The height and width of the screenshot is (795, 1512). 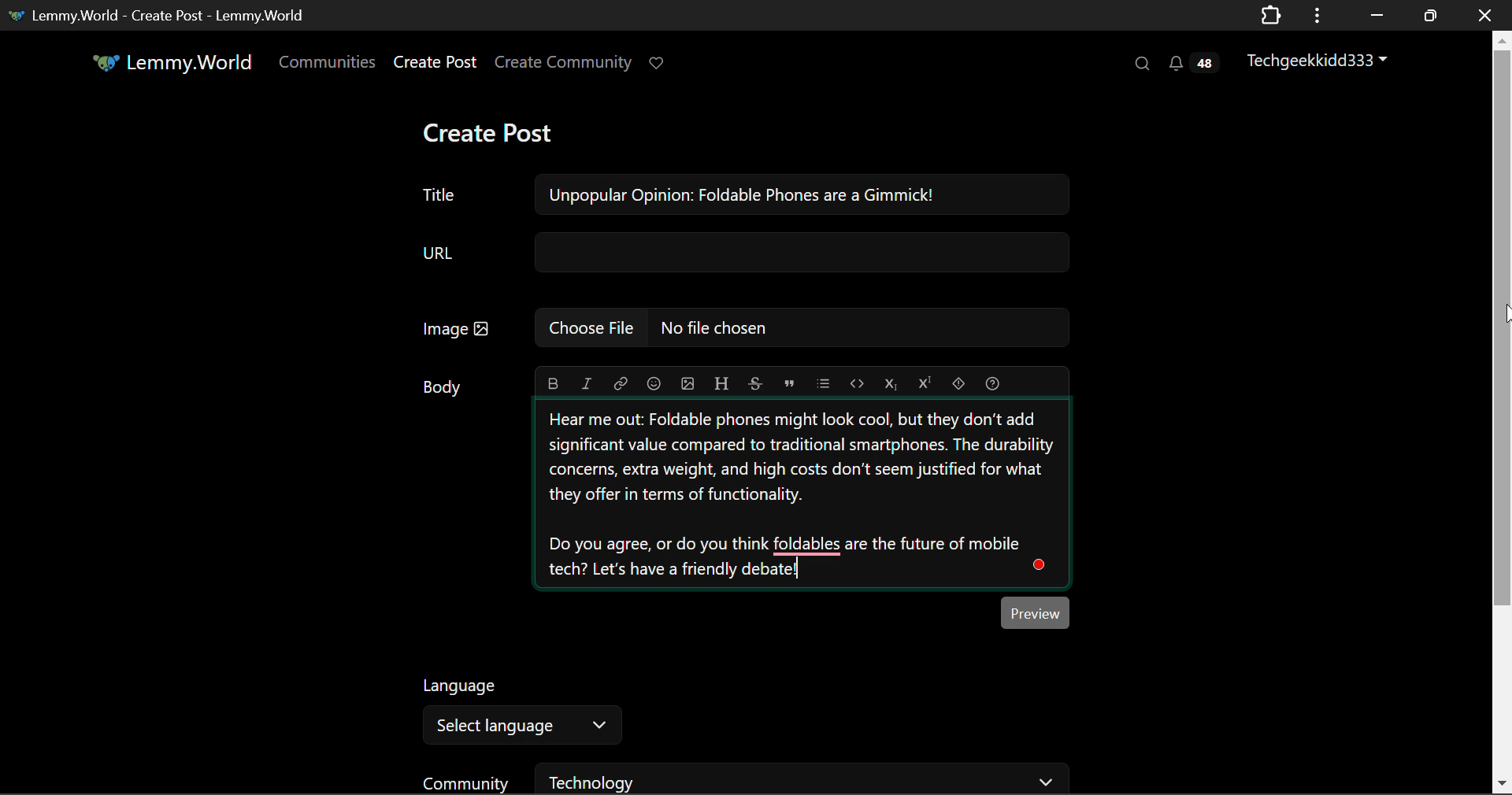 What do you see at coordinates (857, 383) in the screenshot?
I see `code` at bounding box center [857, 383].